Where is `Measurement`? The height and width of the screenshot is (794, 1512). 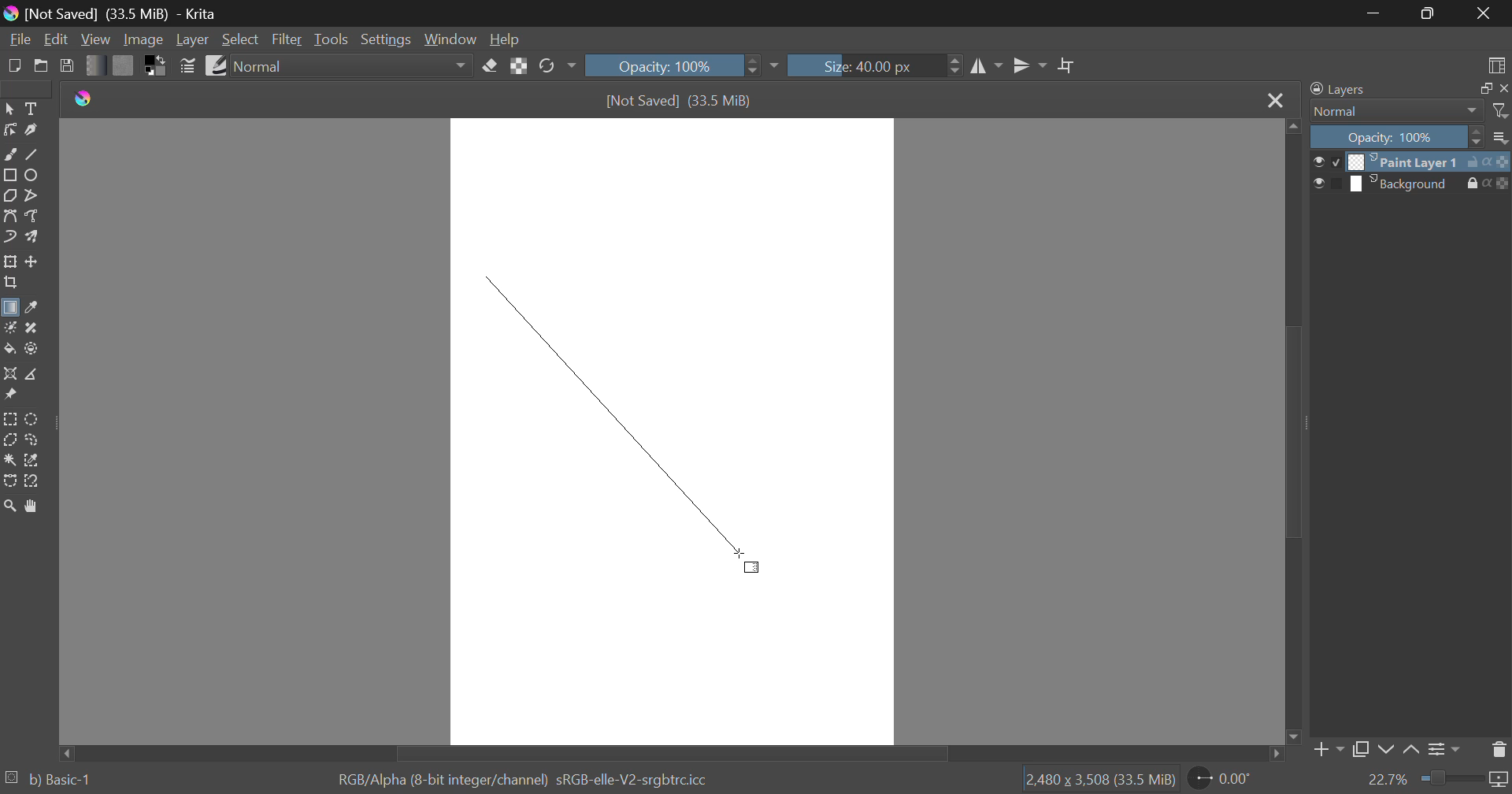
Measurement is located at coordinates (32, 375).